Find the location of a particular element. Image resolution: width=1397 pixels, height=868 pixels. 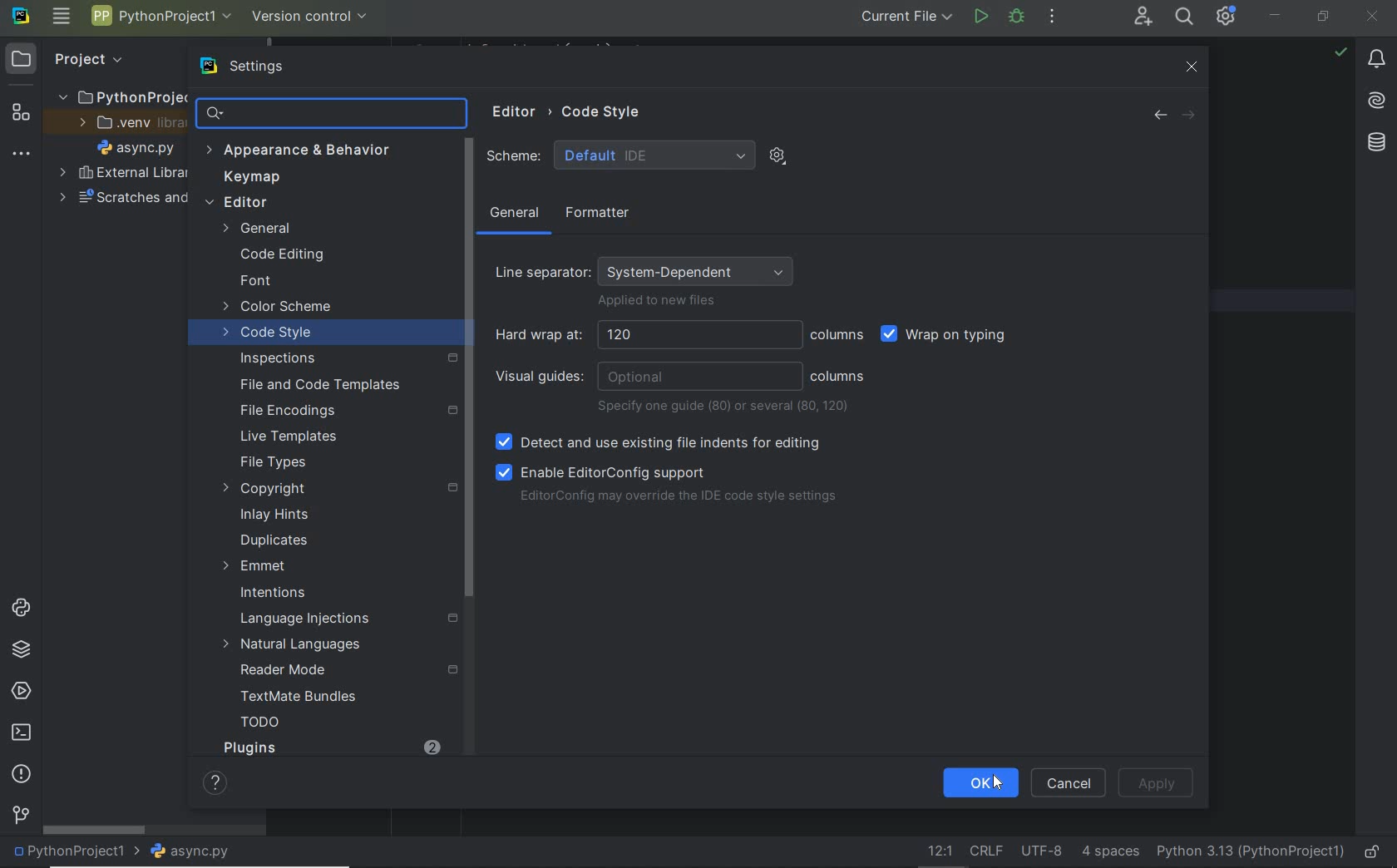

Detect and use existing file indents for editing is located at coordinates (659, 443).